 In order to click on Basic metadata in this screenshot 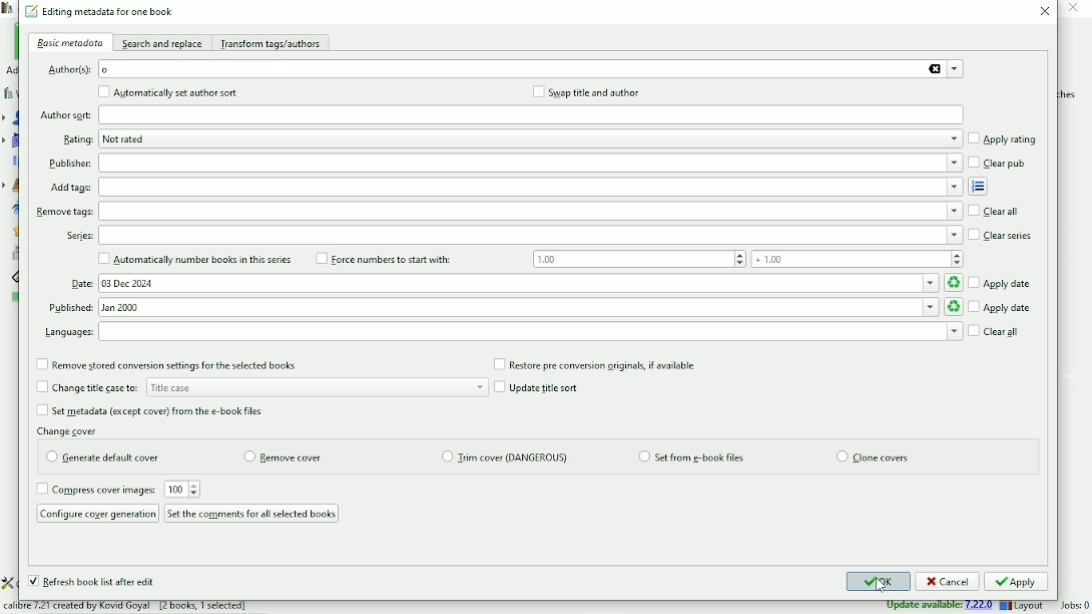, I will do `click(69, 42)`.